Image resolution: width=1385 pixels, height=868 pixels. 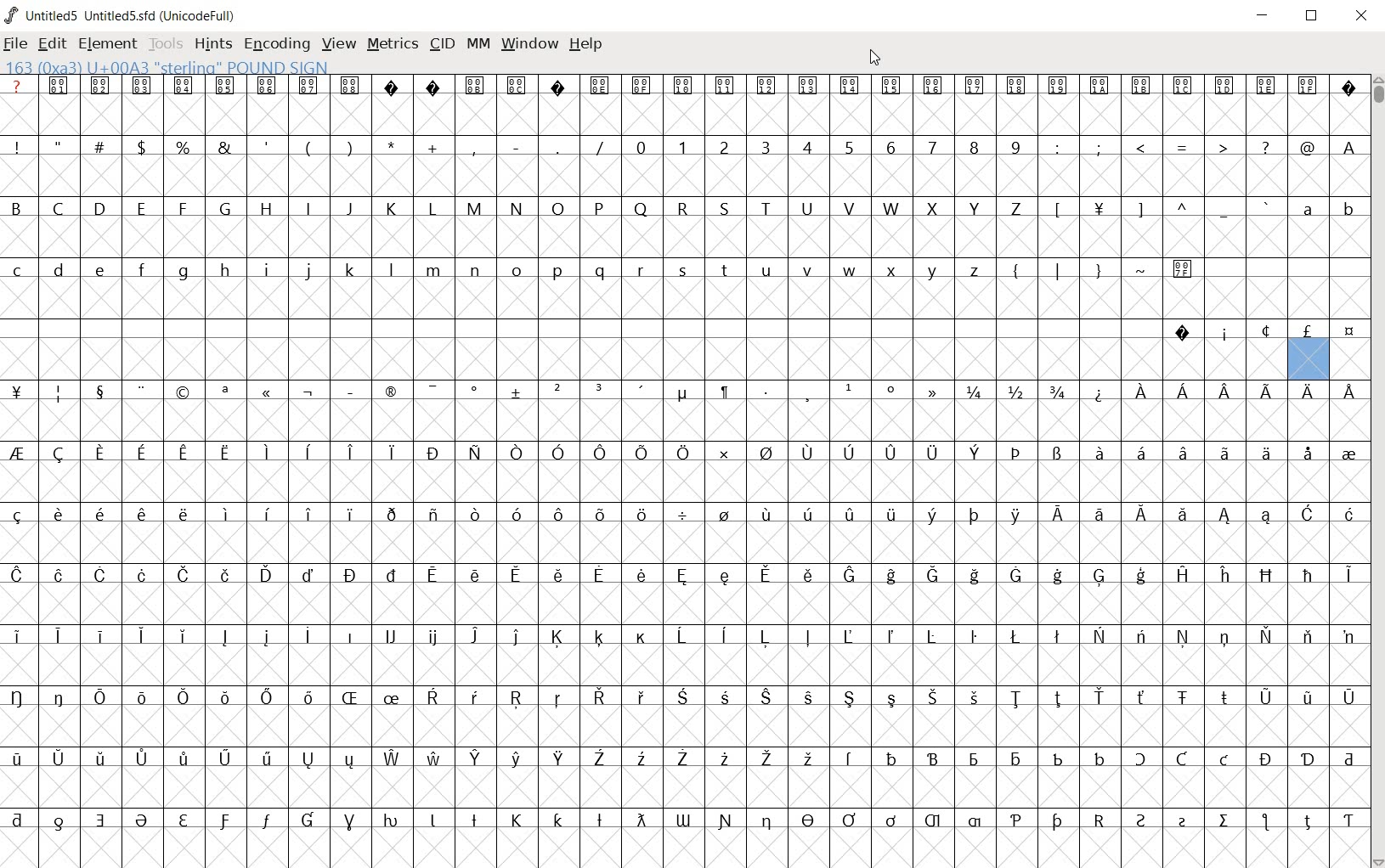 What do you see at coordinates (725, 270) in the screenshot?
I see `t` at bounding box center [725, 270].